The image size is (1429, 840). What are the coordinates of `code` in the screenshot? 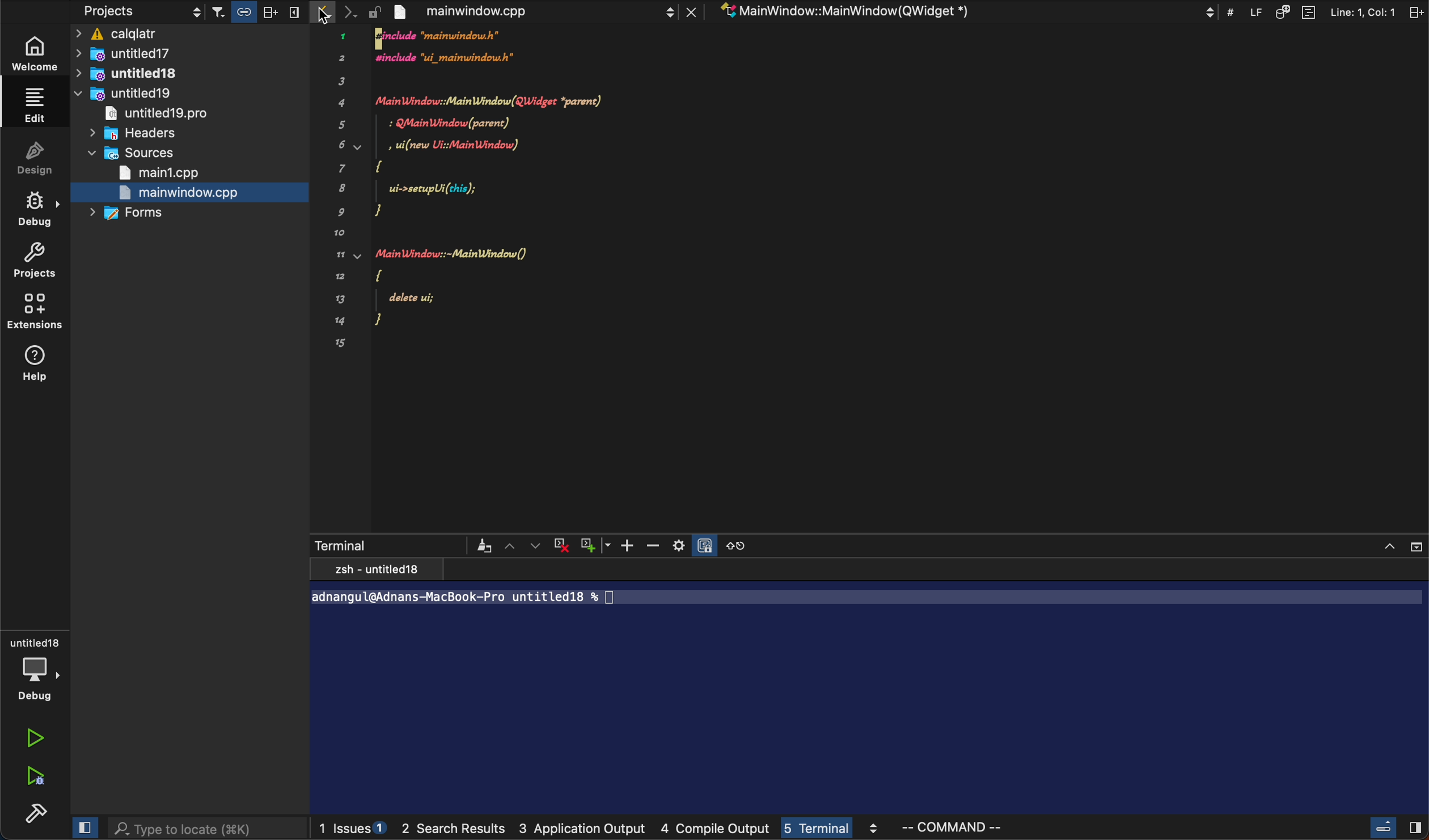 It's located at (498, 203).